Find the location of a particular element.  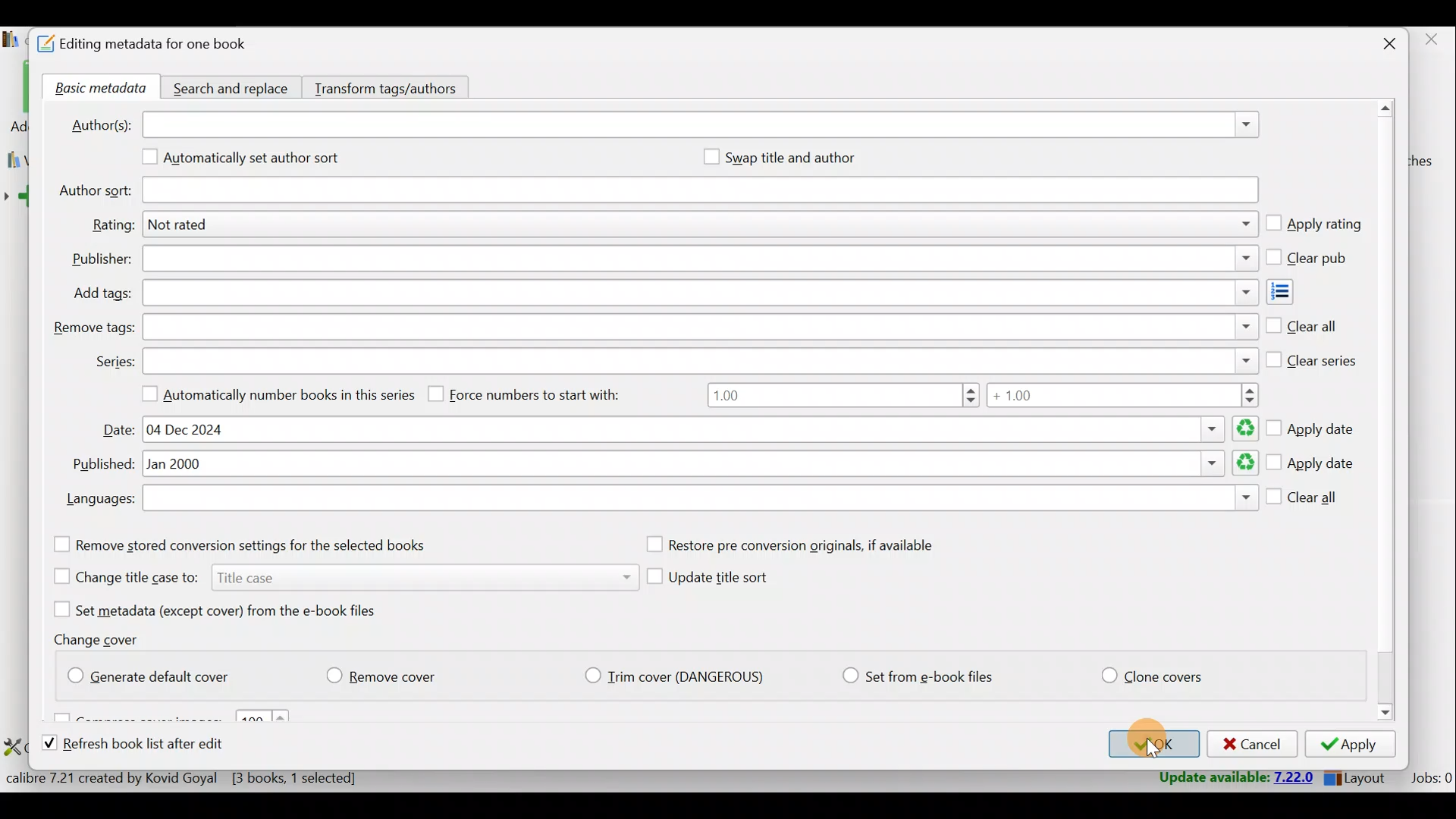

Rating: is located at coordinates (112, 225).